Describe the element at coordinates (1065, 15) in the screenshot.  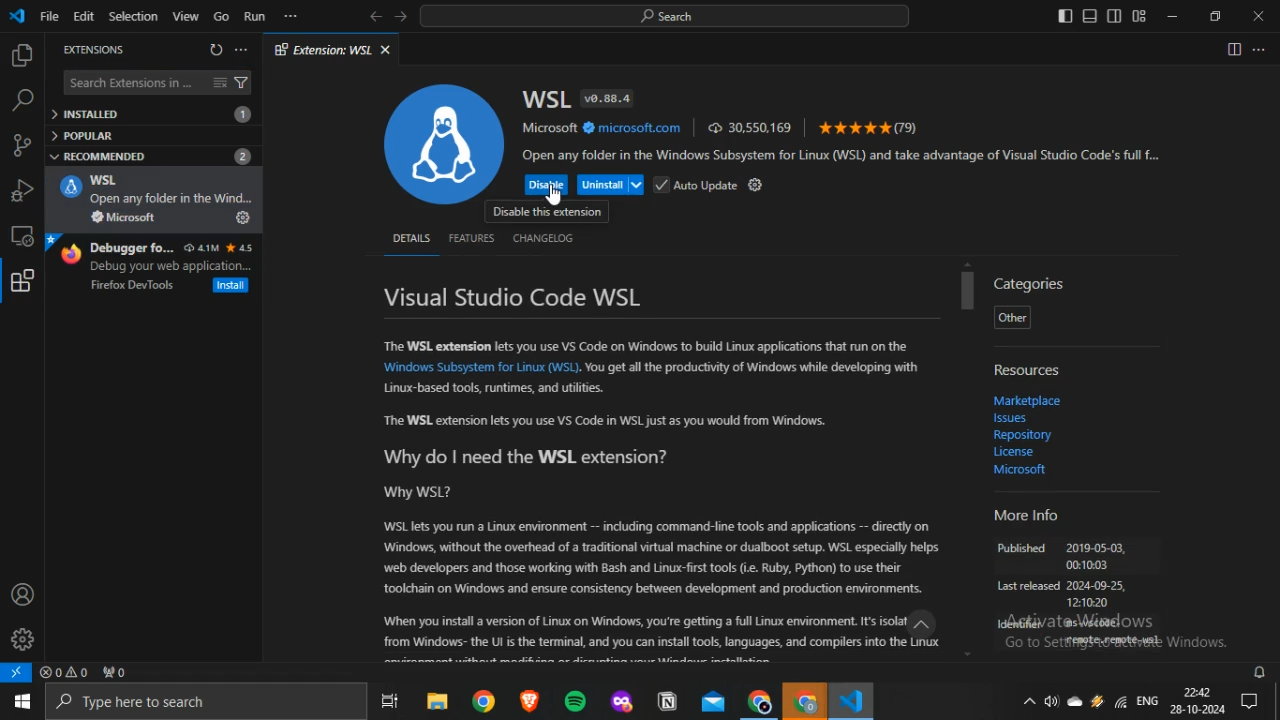
I see `toggle primary sidebar` at that location.